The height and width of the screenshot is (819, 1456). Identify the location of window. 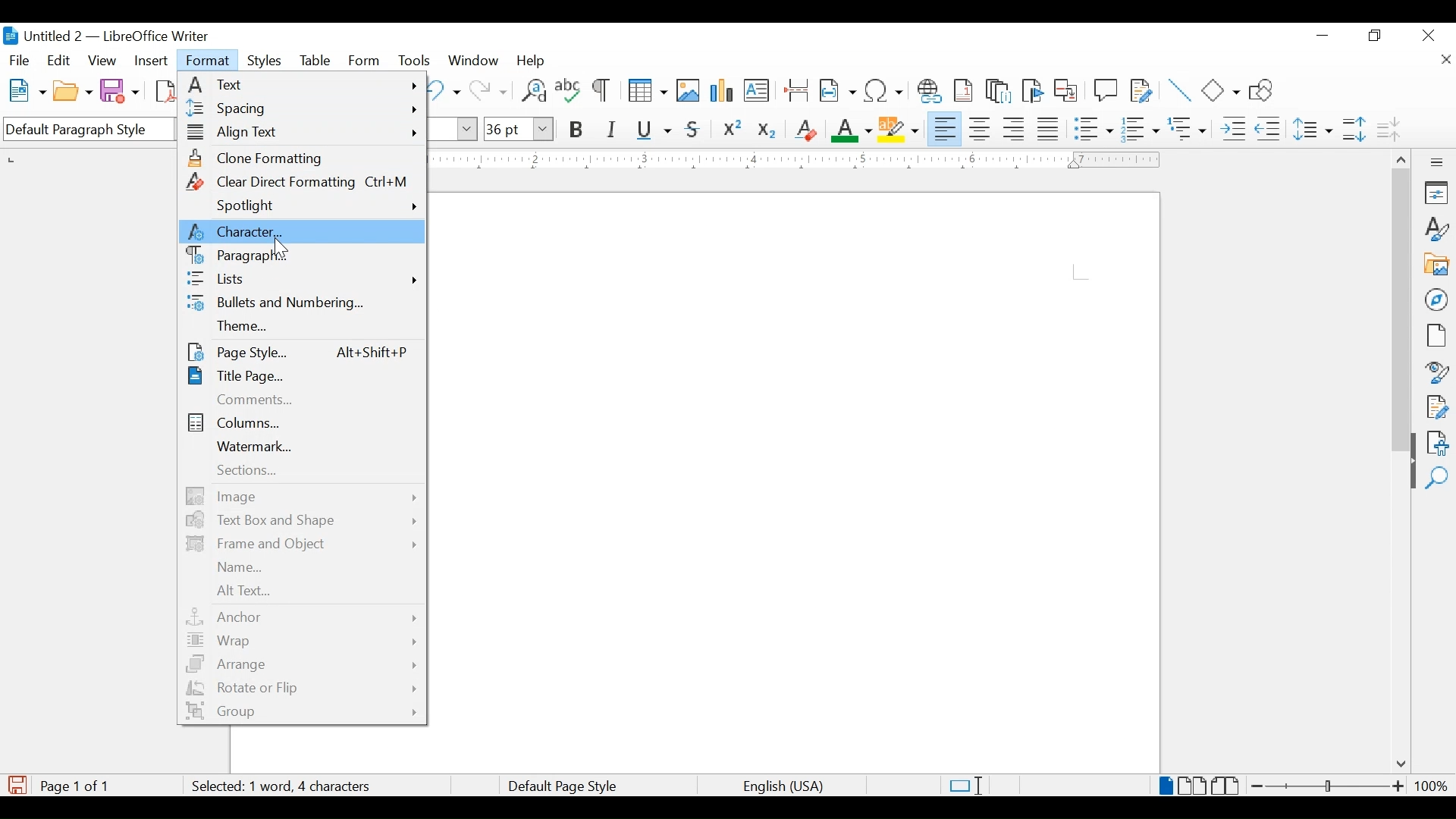
(475, 61).